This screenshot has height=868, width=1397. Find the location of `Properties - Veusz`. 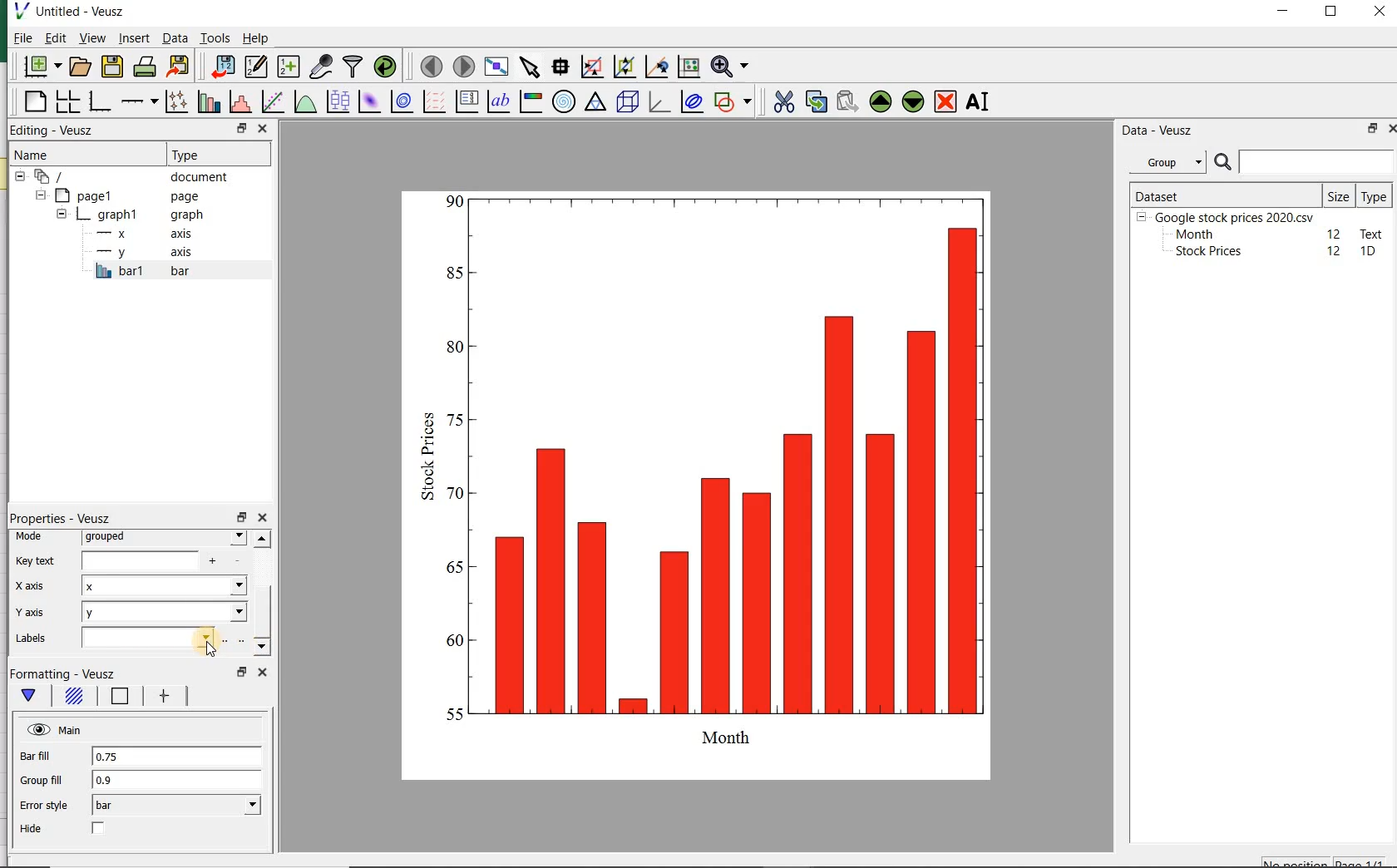

Properties - Veusz is located at coordinates (65, 518).